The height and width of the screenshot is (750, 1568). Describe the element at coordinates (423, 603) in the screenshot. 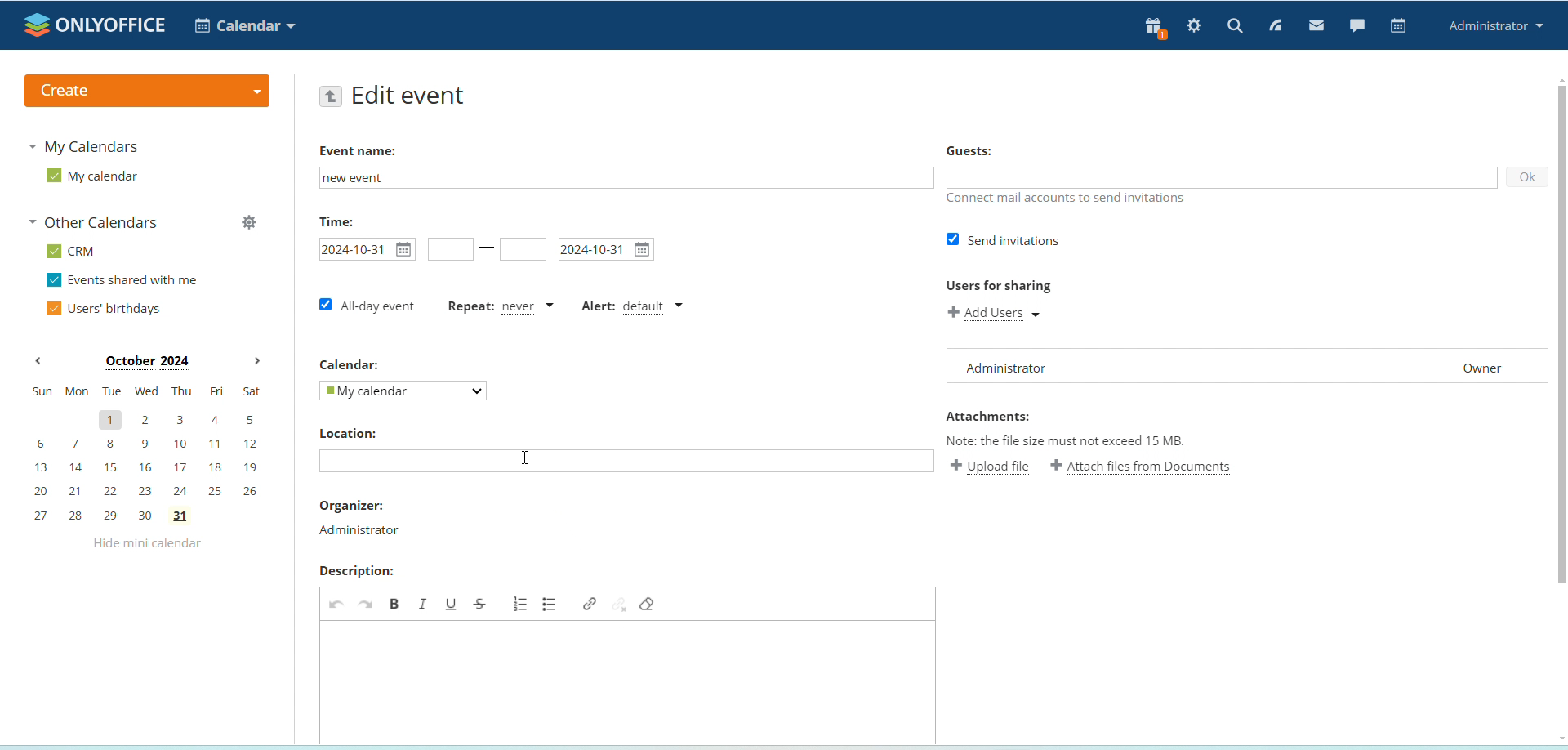

I see `italic` at that location.